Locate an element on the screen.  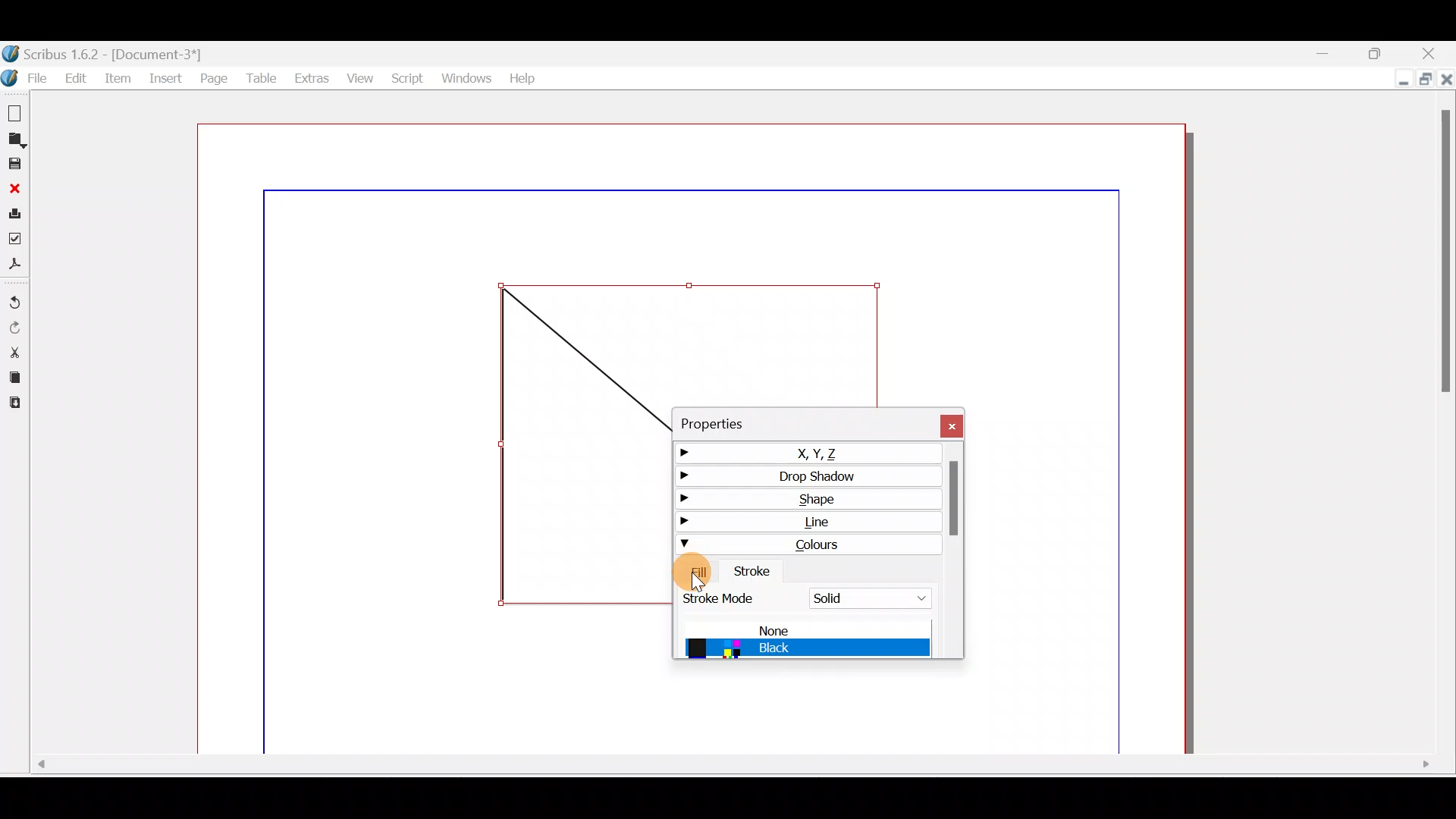
Paste is located at coordinates (19, 403).